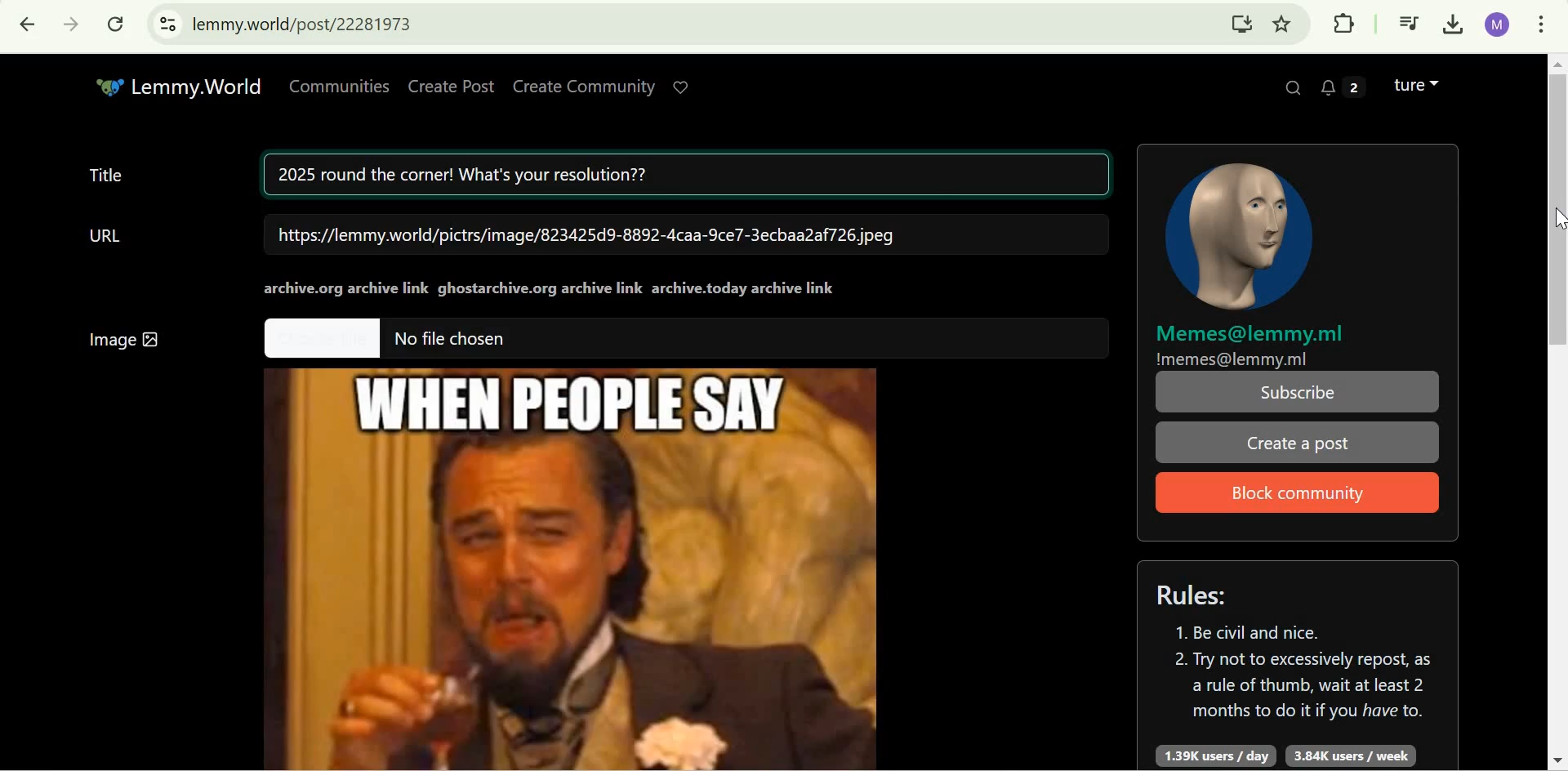  Describe the element at coordinates (1217, 756) in the screenshot. I see `1.39K users/day` at that location.